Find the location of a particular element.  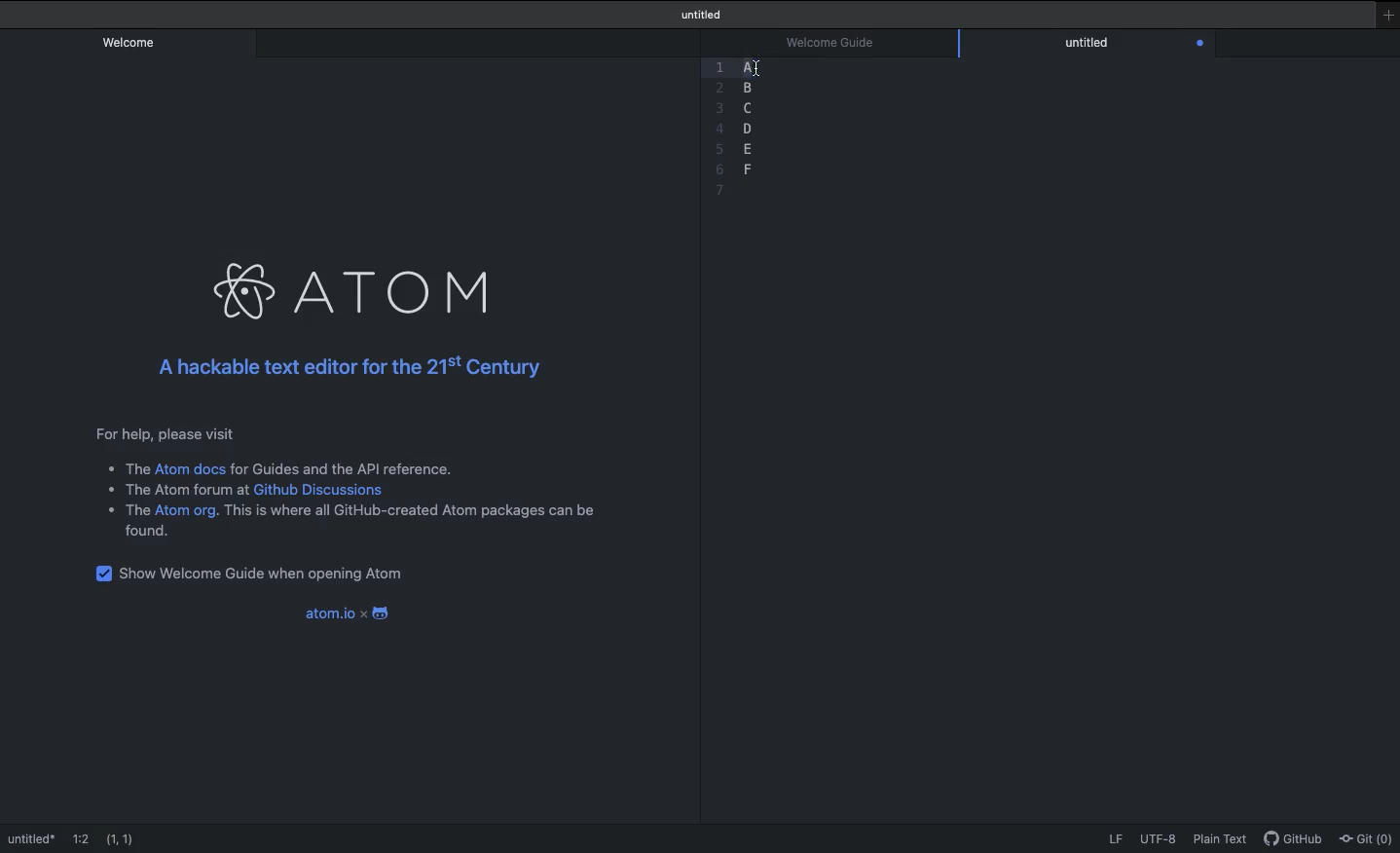

GitHub is located at coordinates (1294, 842).